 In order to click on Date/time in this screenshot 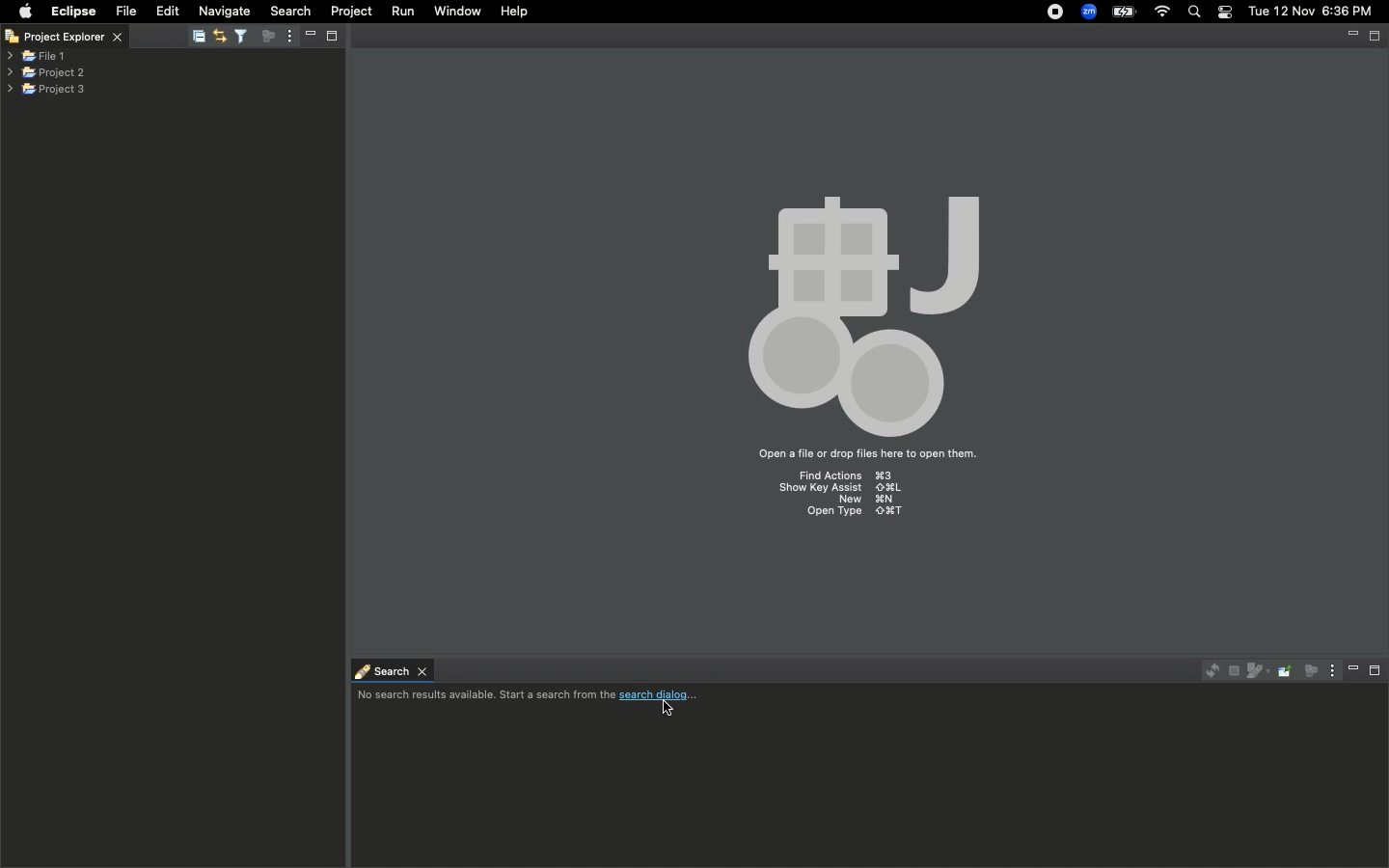, I will do `click(1312, 11)`.